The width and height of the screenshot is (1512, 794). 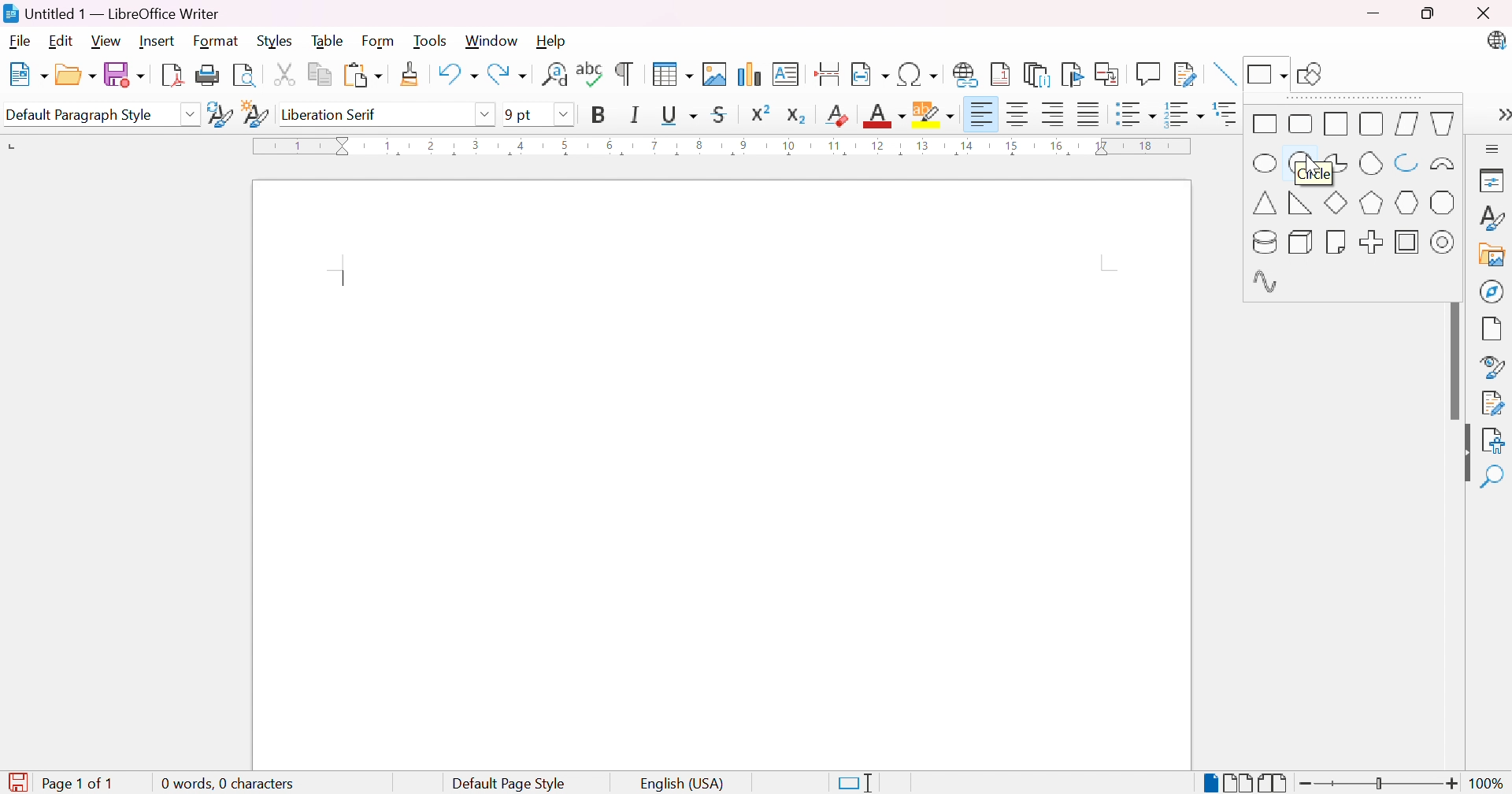 I want to click on Export as PDF, so click(x=171, y=76).